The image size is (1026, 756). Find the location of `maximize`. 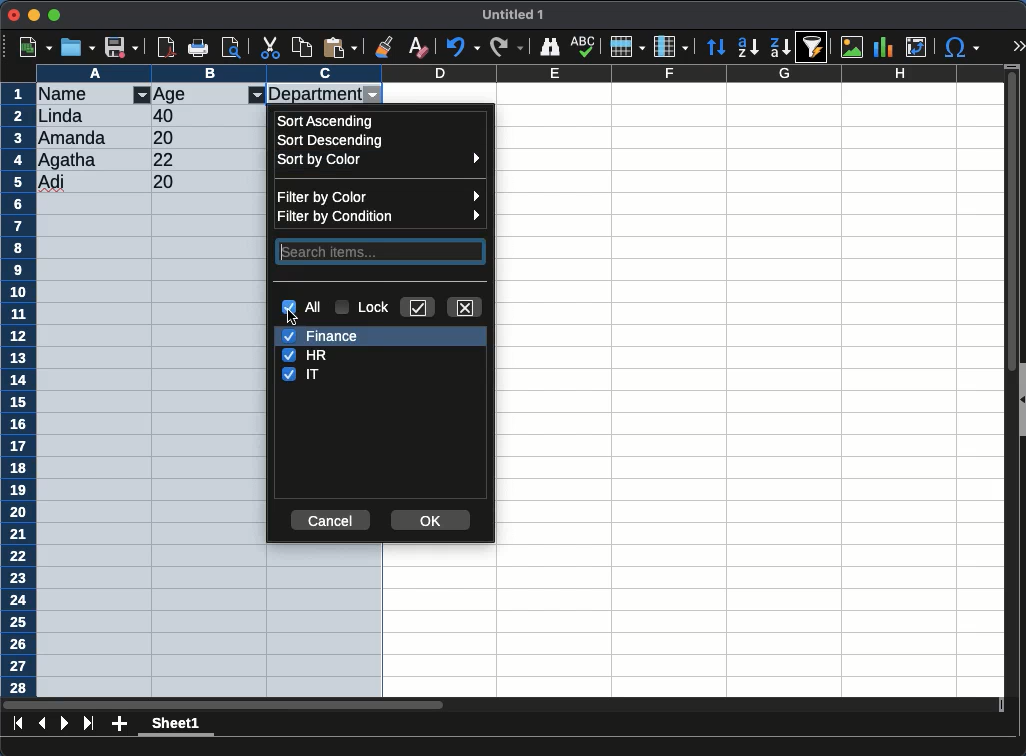

maximize is located at coordinates (56, 14).